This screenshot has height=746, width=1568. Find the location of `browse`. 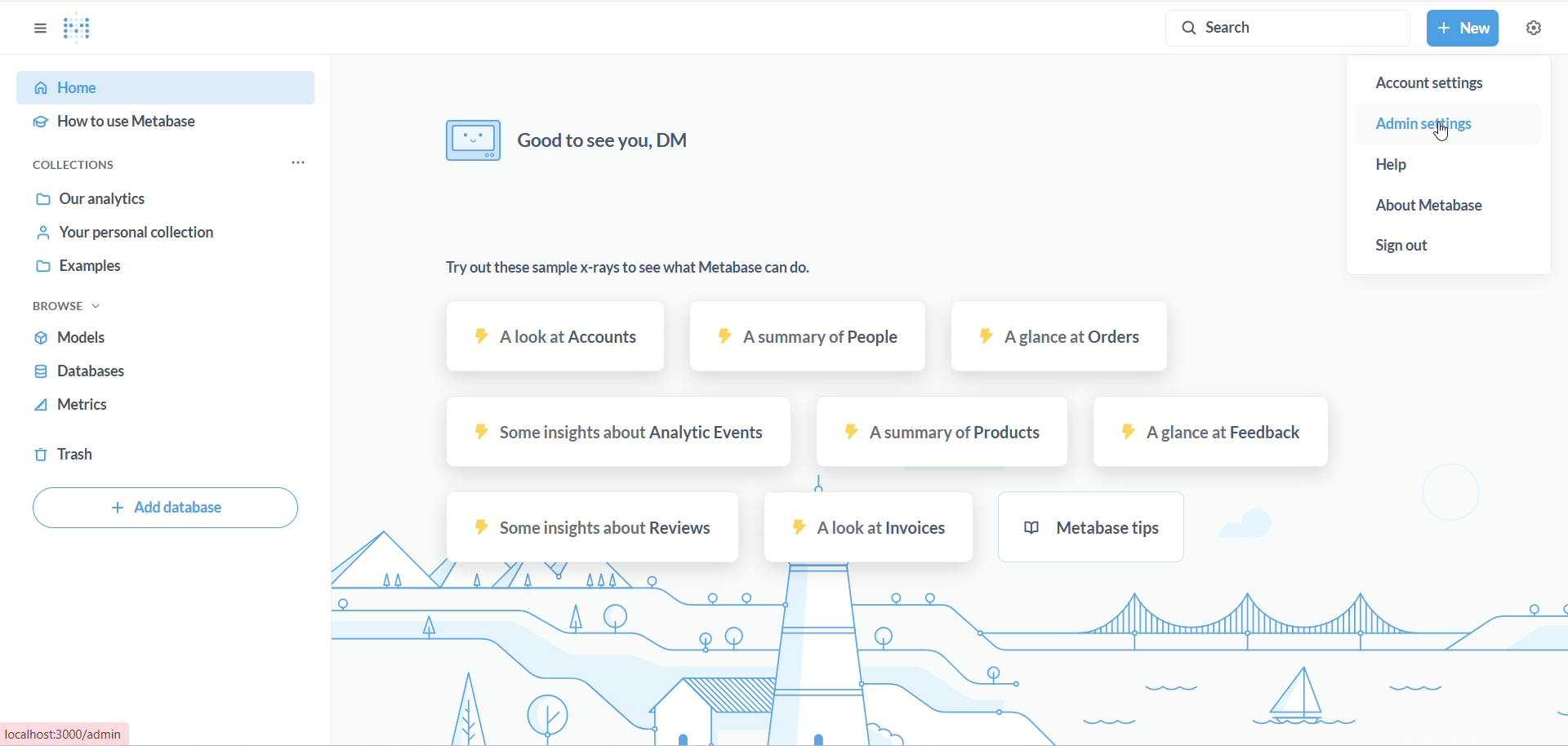

browse is located at coordinates (69, 309).